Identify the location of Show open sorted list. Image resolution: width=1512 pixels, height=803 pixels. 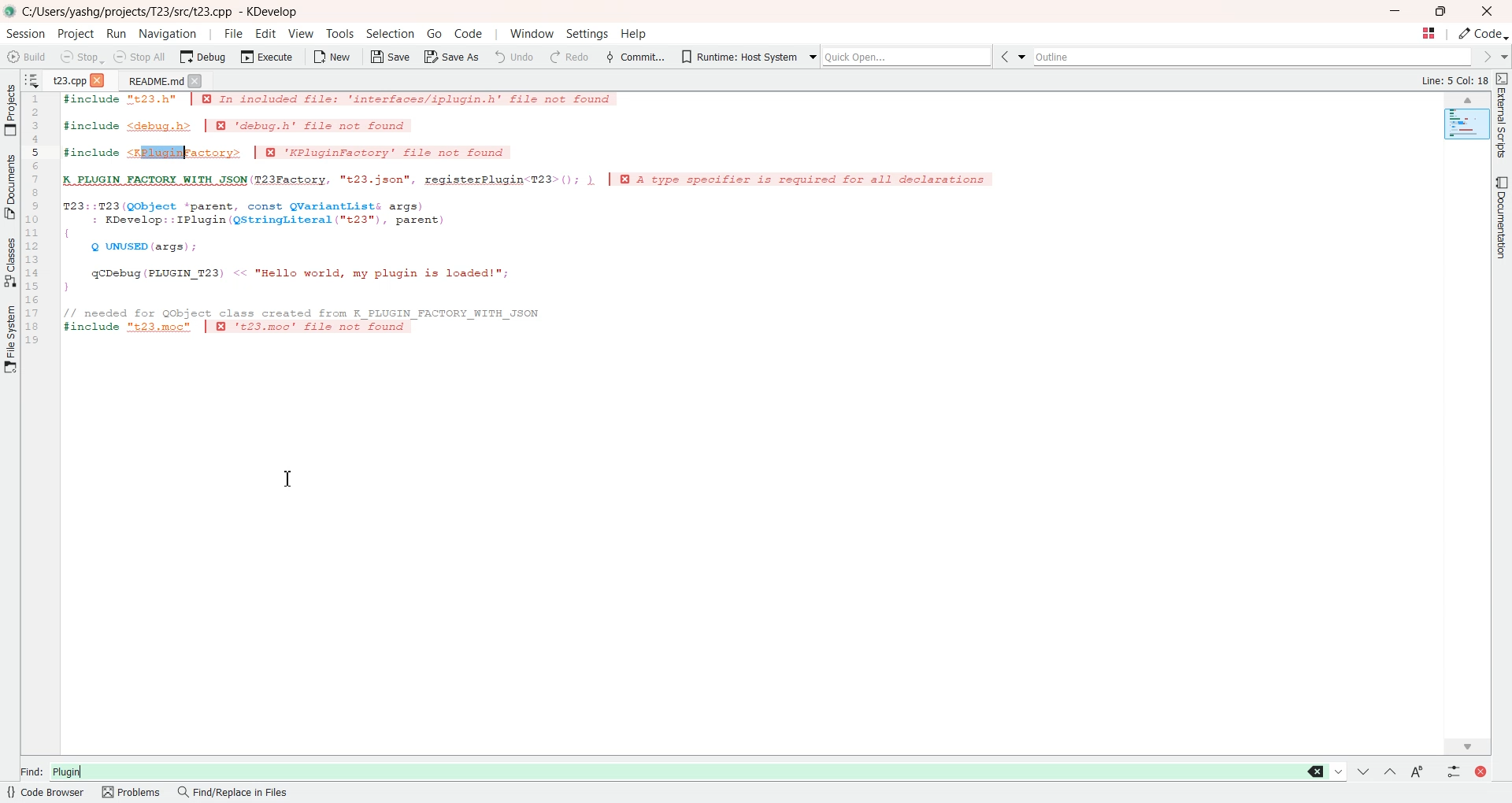
(32, 79).